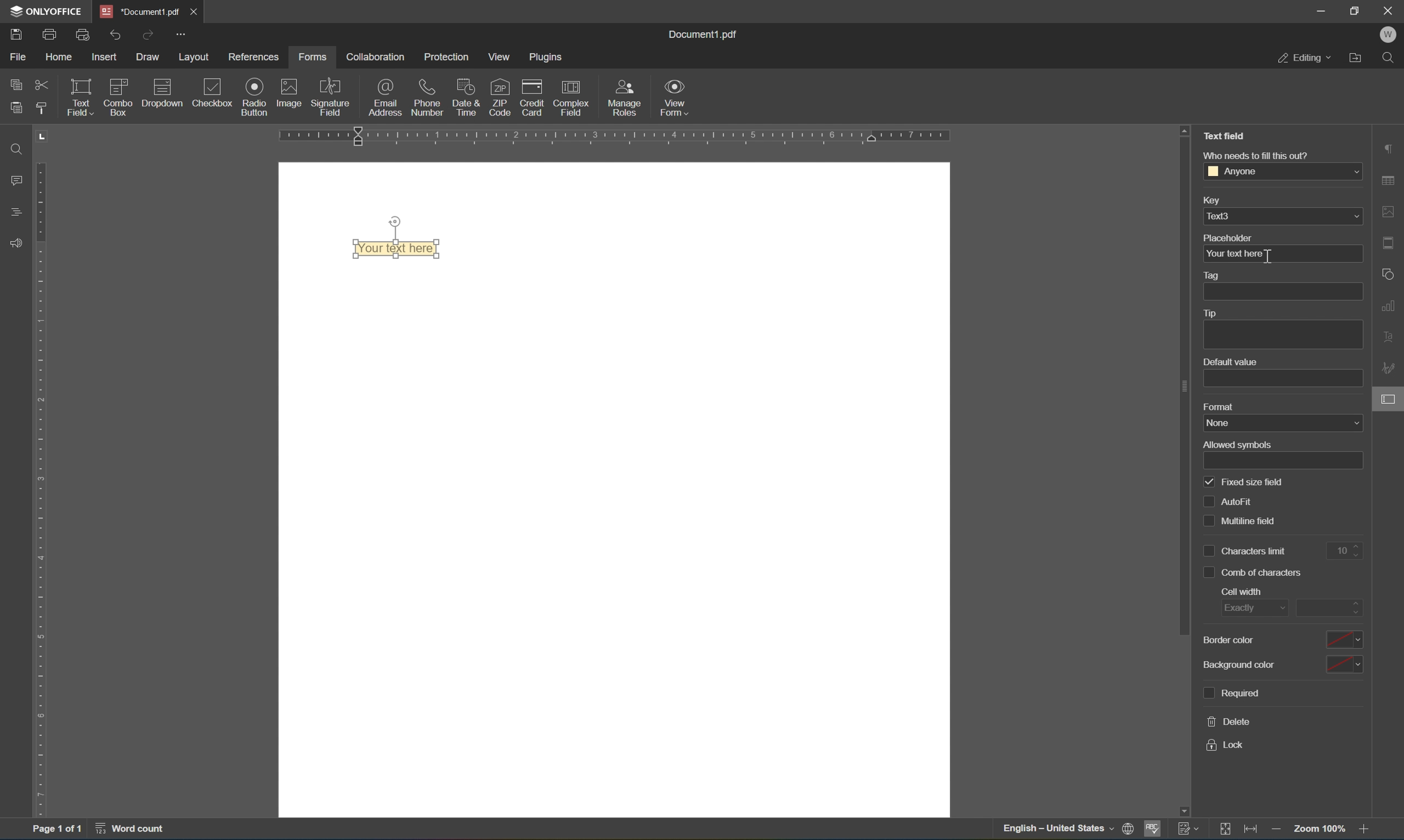  Describe the element at coordinates (1242, 590) in the screenshot. I see `cell width` at that location.